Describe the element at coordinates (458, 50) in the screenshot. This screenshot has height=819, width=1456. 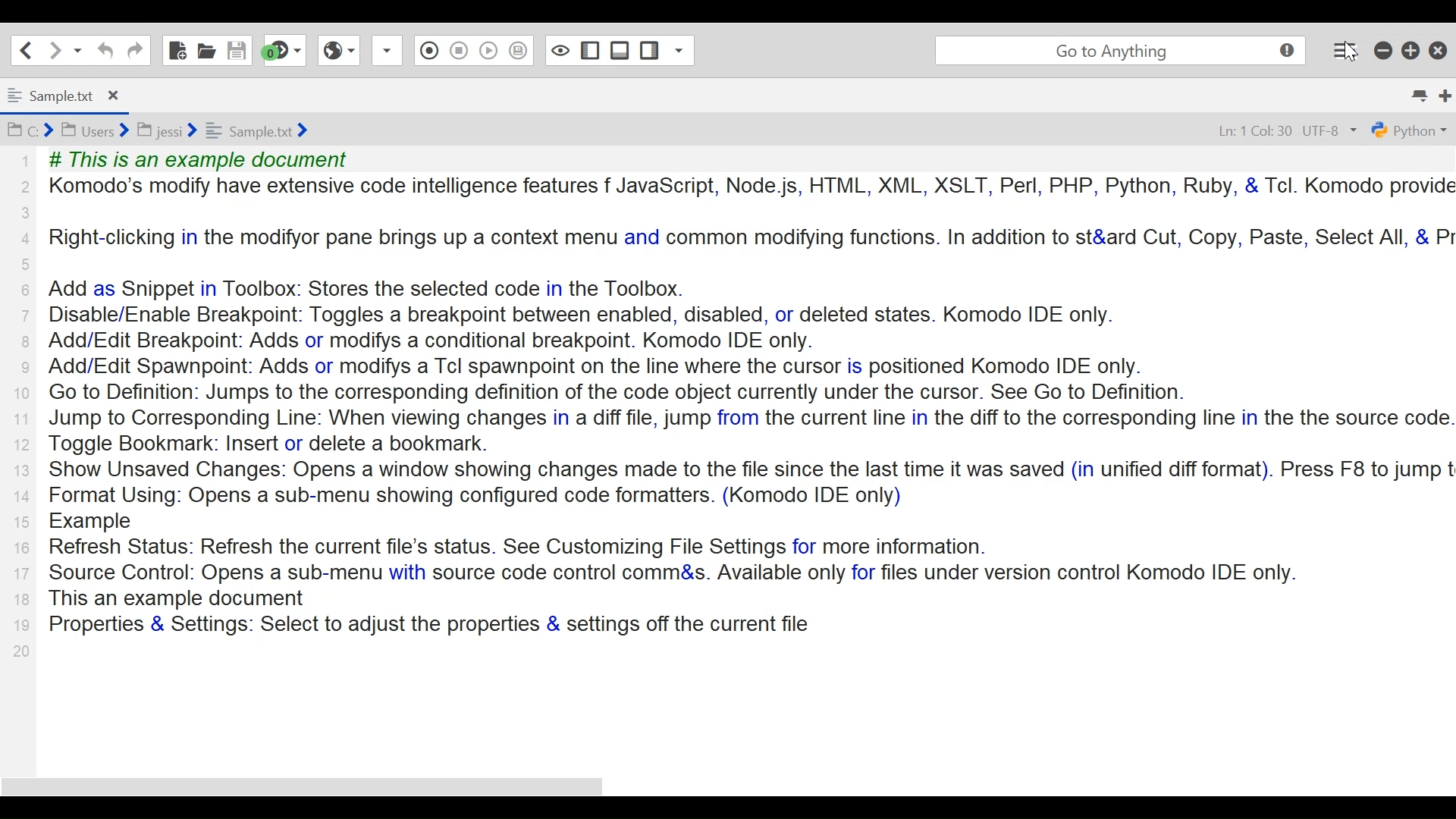
I see `Play Last Macro` at that location.